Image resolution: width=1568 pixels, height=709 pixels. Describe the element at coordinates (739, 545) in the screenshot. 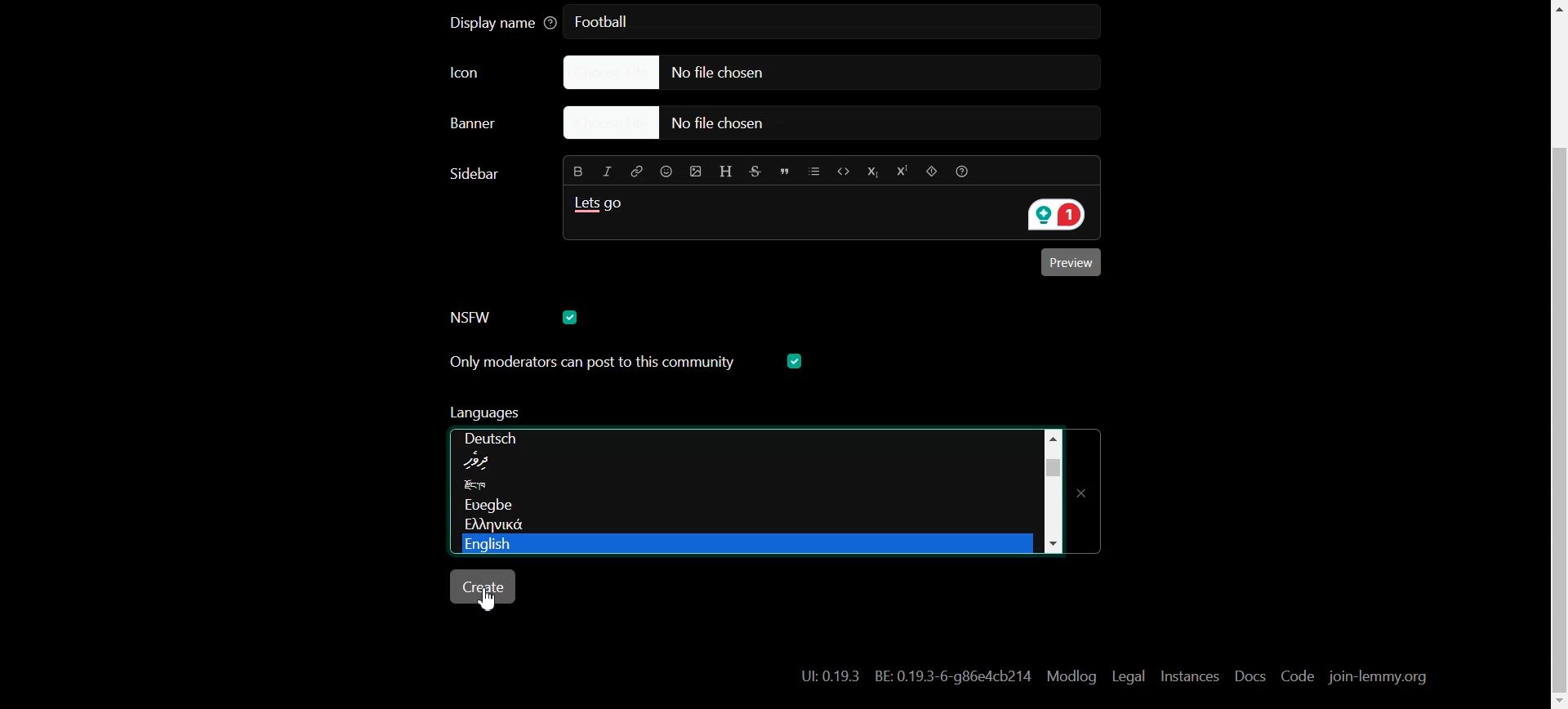

I see `Language` at that location.